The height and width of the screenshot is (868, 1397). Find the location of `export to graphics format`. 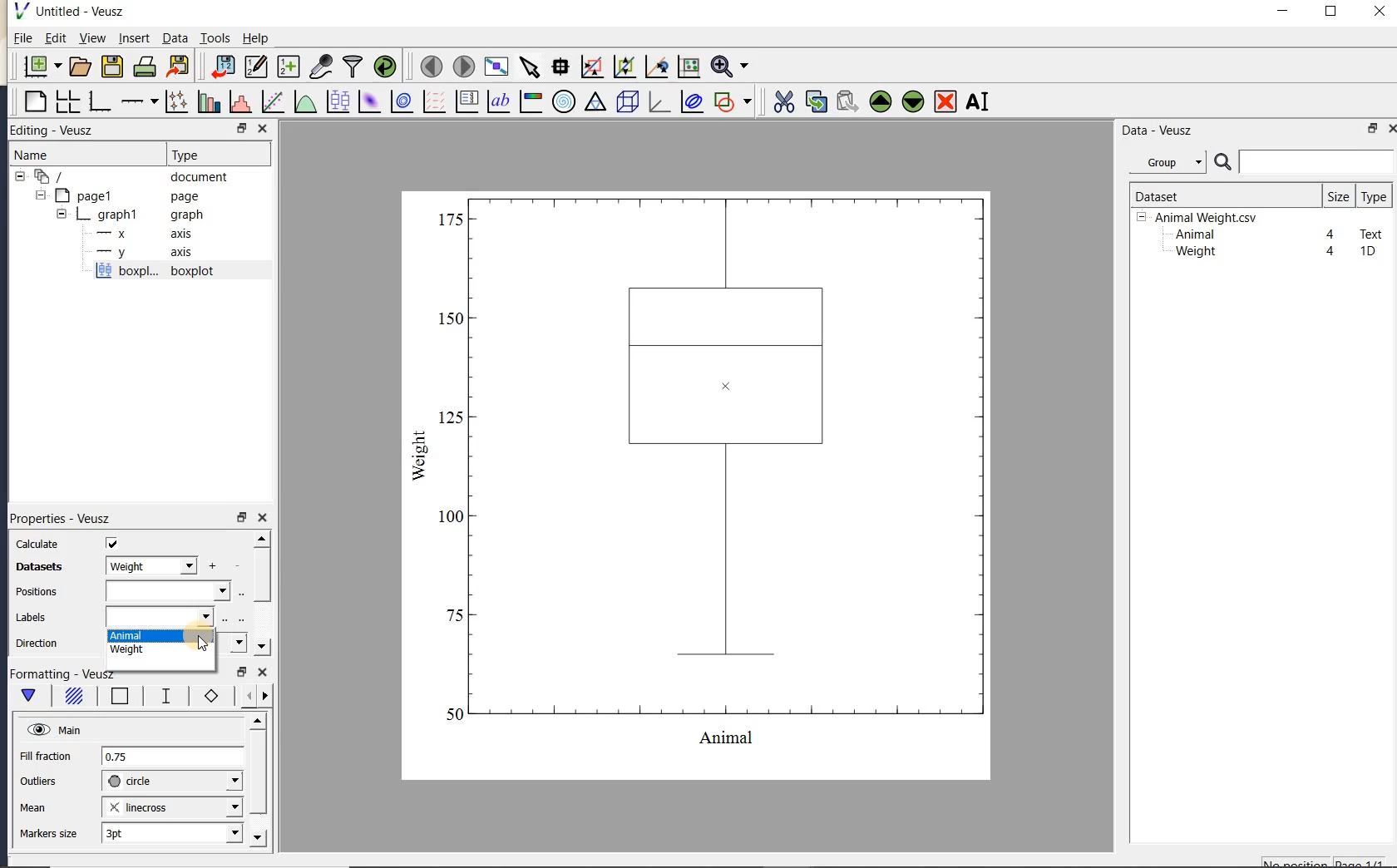

export to graphics format is located at coordinates (179, 65).